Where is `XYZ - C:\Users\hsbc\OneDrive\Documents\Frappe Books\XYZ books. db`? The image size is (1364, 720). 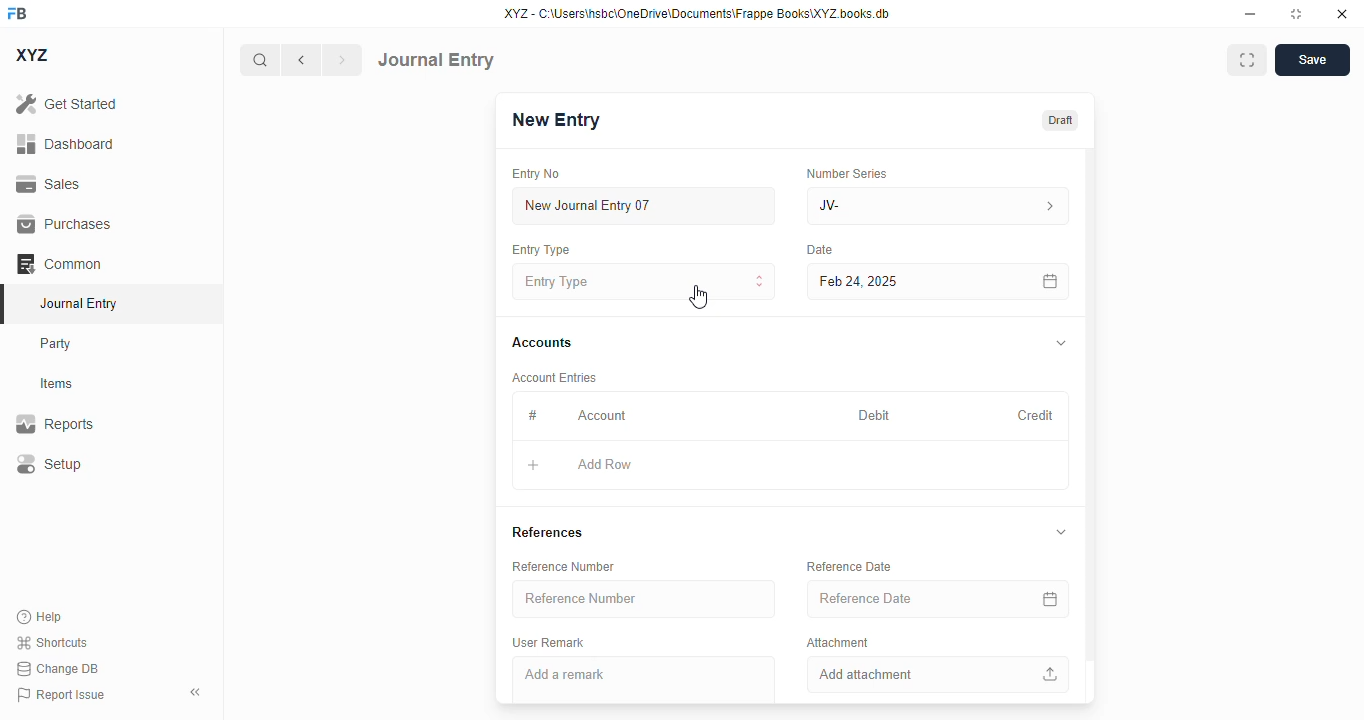 XYZ - C:\Users\hsbc\OneDrive\Documents\Frappe Books\XYZ books. db is located at coordinates (697, 14).